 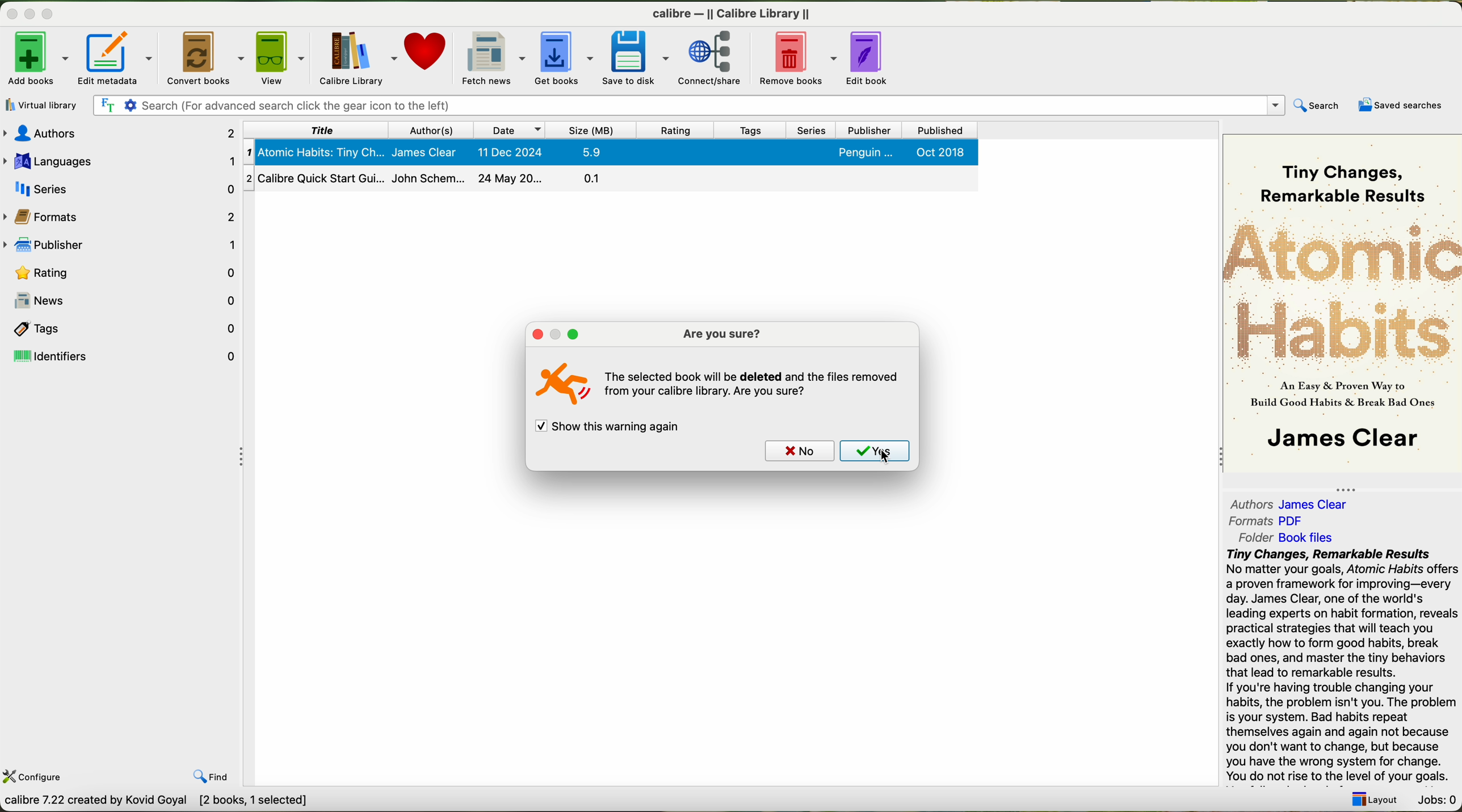 What do you see at coordinates (755, 388) in the screenshot?
I see `question` at bounding box center [755, 388].